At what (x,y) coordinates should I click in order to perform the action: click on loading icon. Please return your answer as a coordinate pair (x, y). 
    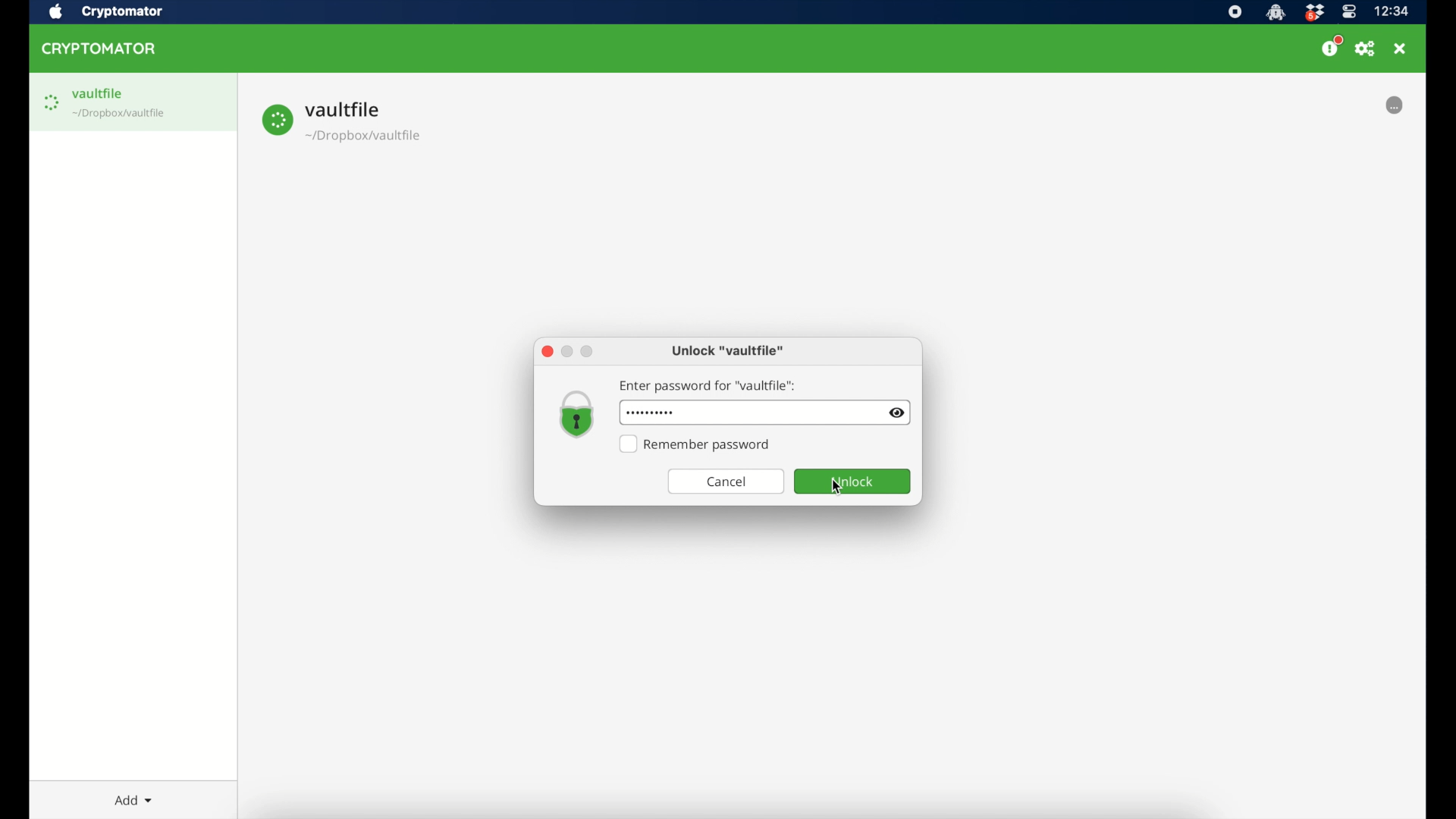
    Looking at the image, I should click on (51, 103).